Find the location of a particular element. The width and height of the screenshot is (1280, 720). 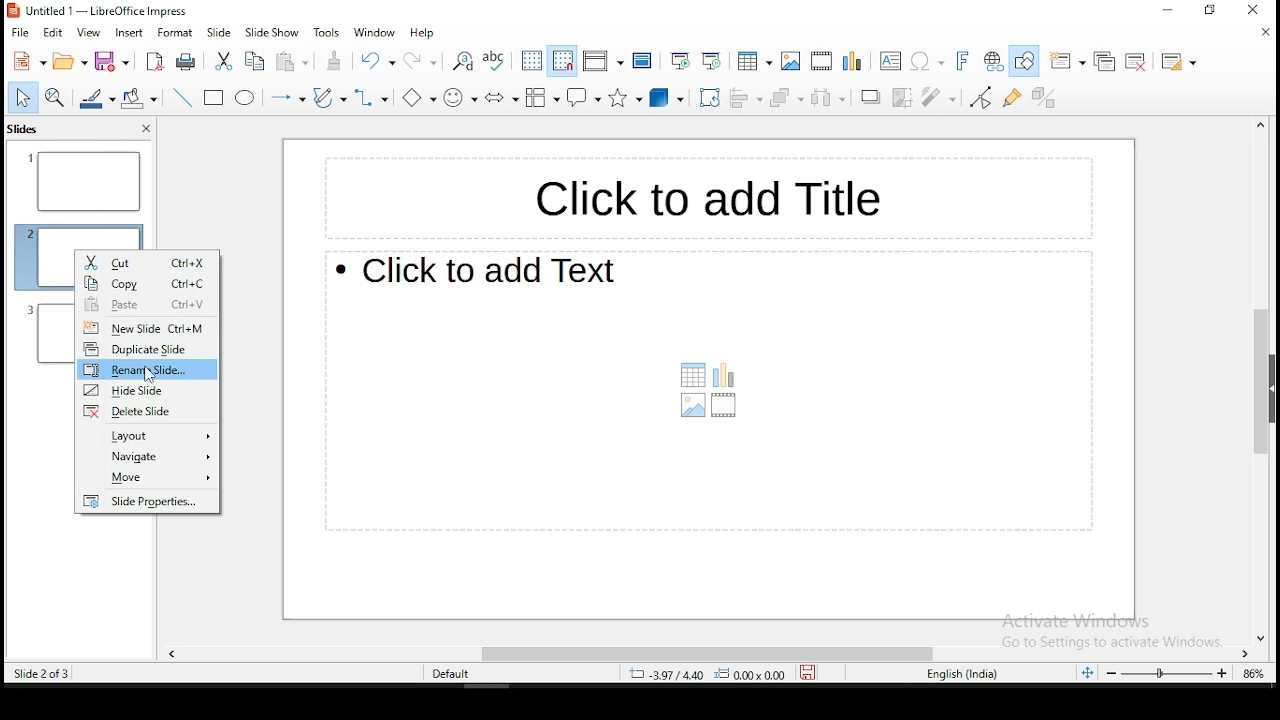

0.00x0.00 is located at coordinates (756, 675).